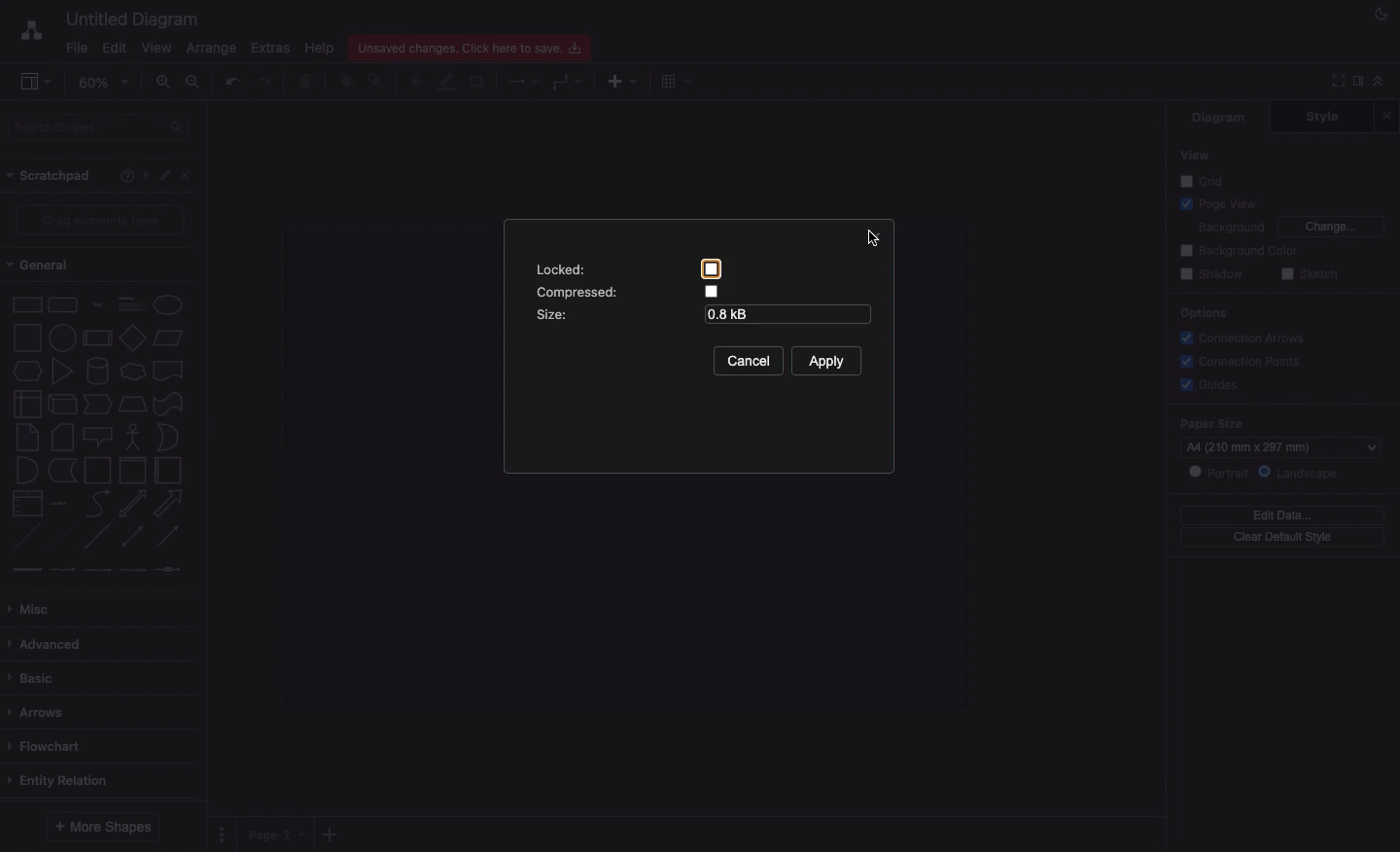  I want to click on Connection arrows, so click(1247, 337).